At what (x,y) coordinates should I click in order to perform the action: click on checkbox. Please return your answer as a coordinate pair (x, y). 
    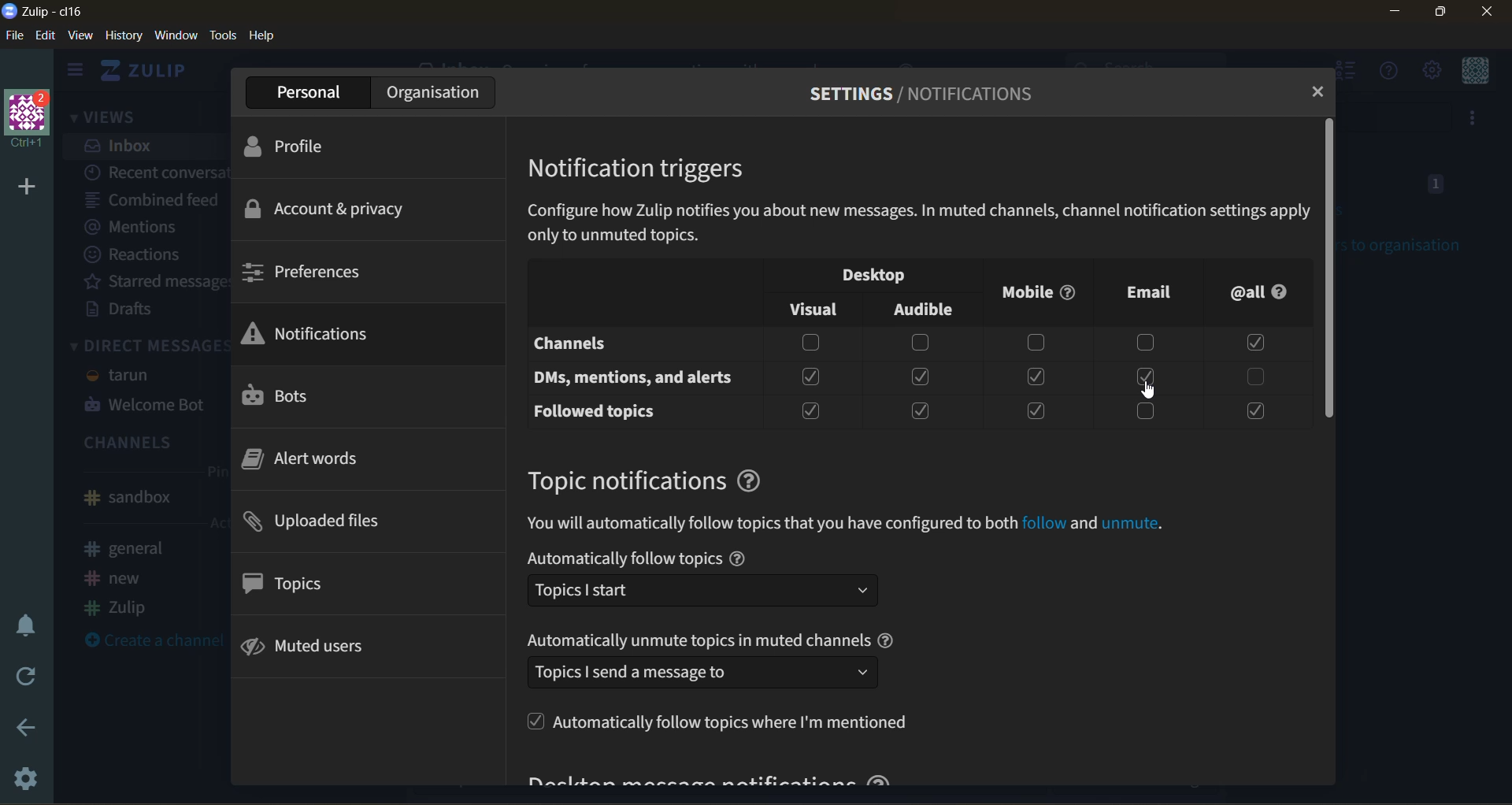
    Looking at the image, I should click on (1252, 411).